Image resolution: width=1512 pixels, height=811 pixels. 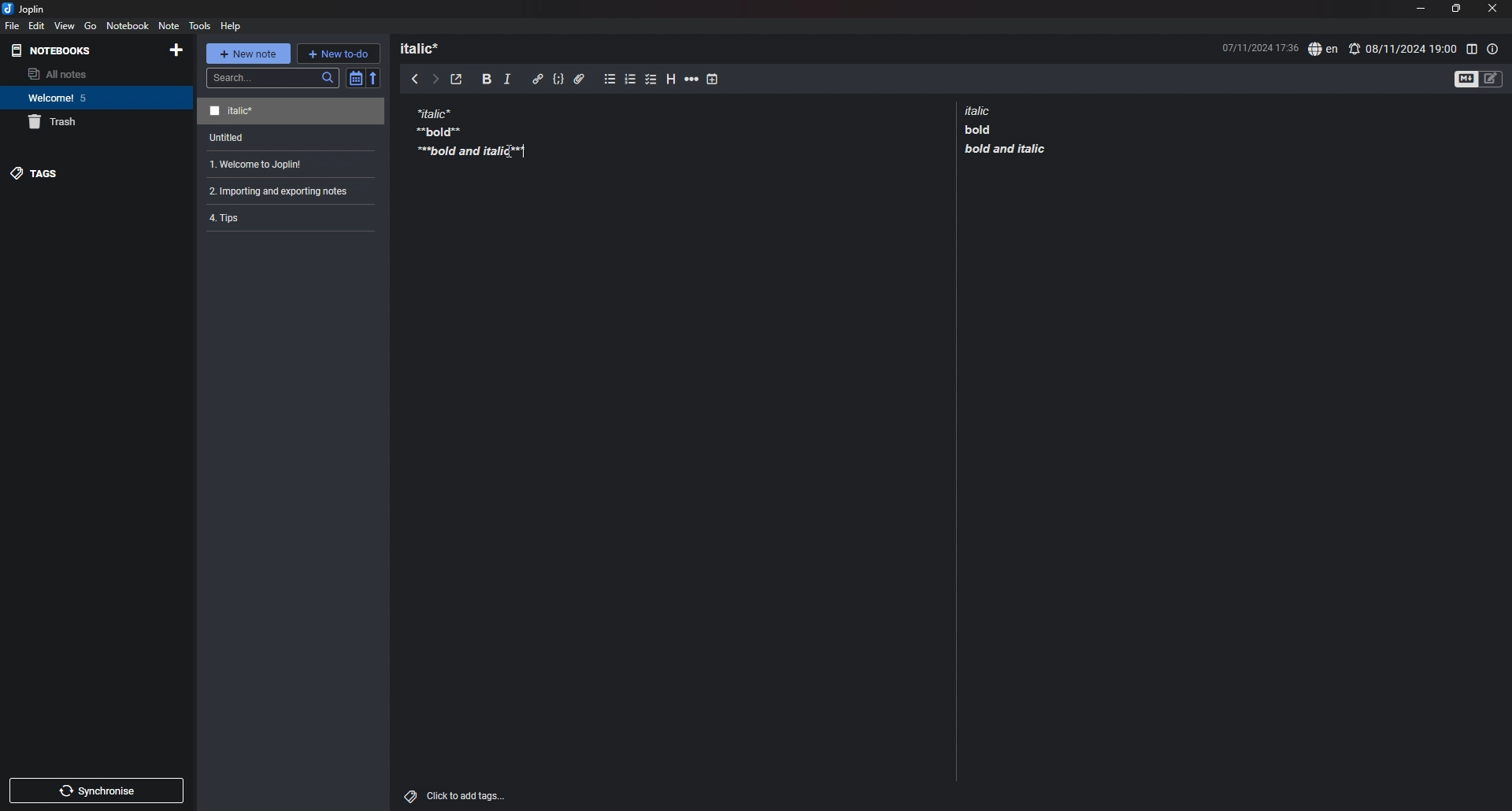 I want to click on note, so click(x=285, y=217).